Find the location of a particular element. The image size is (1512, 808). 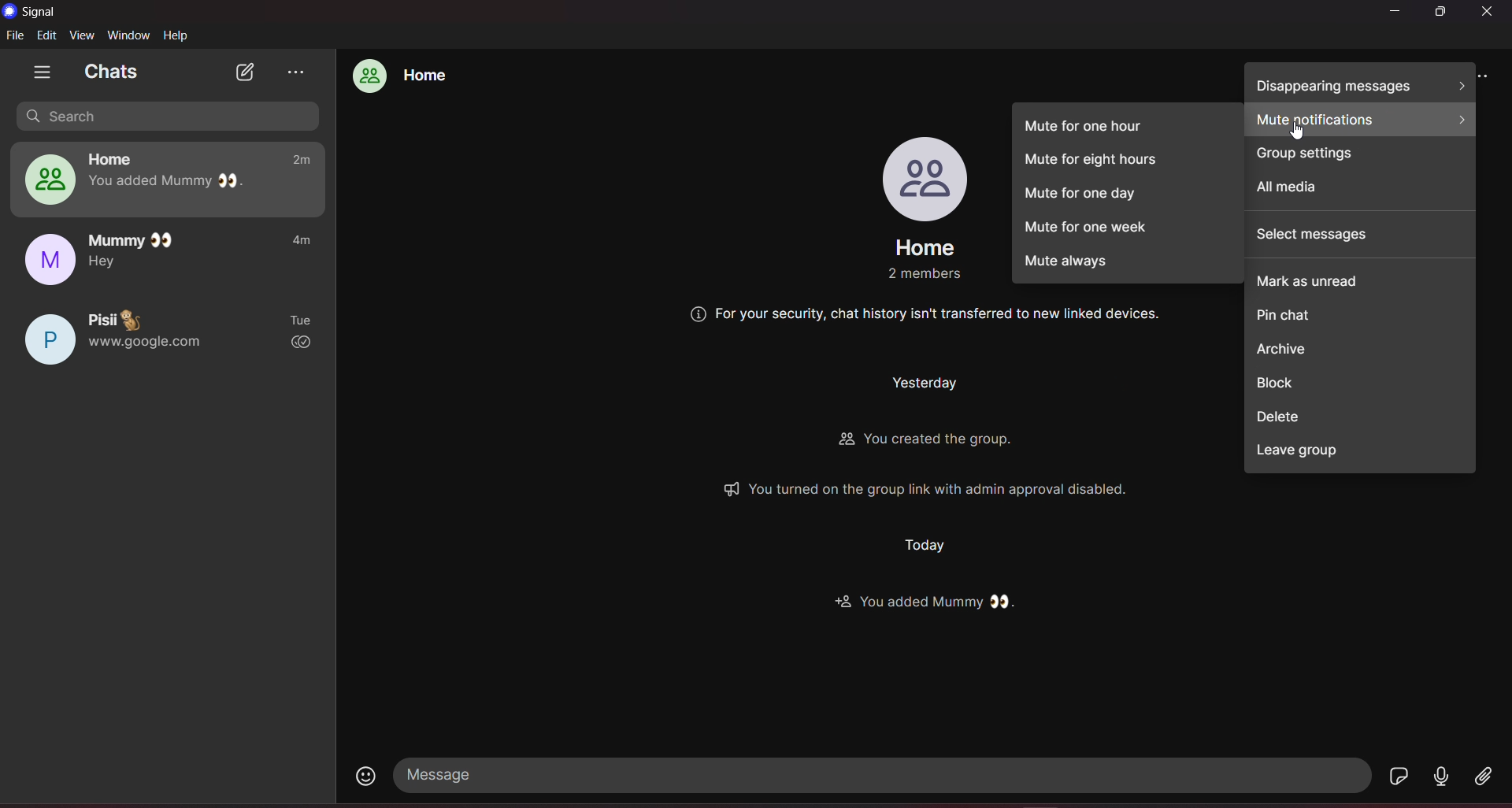

show tabs is located at coordinates (41, 72).